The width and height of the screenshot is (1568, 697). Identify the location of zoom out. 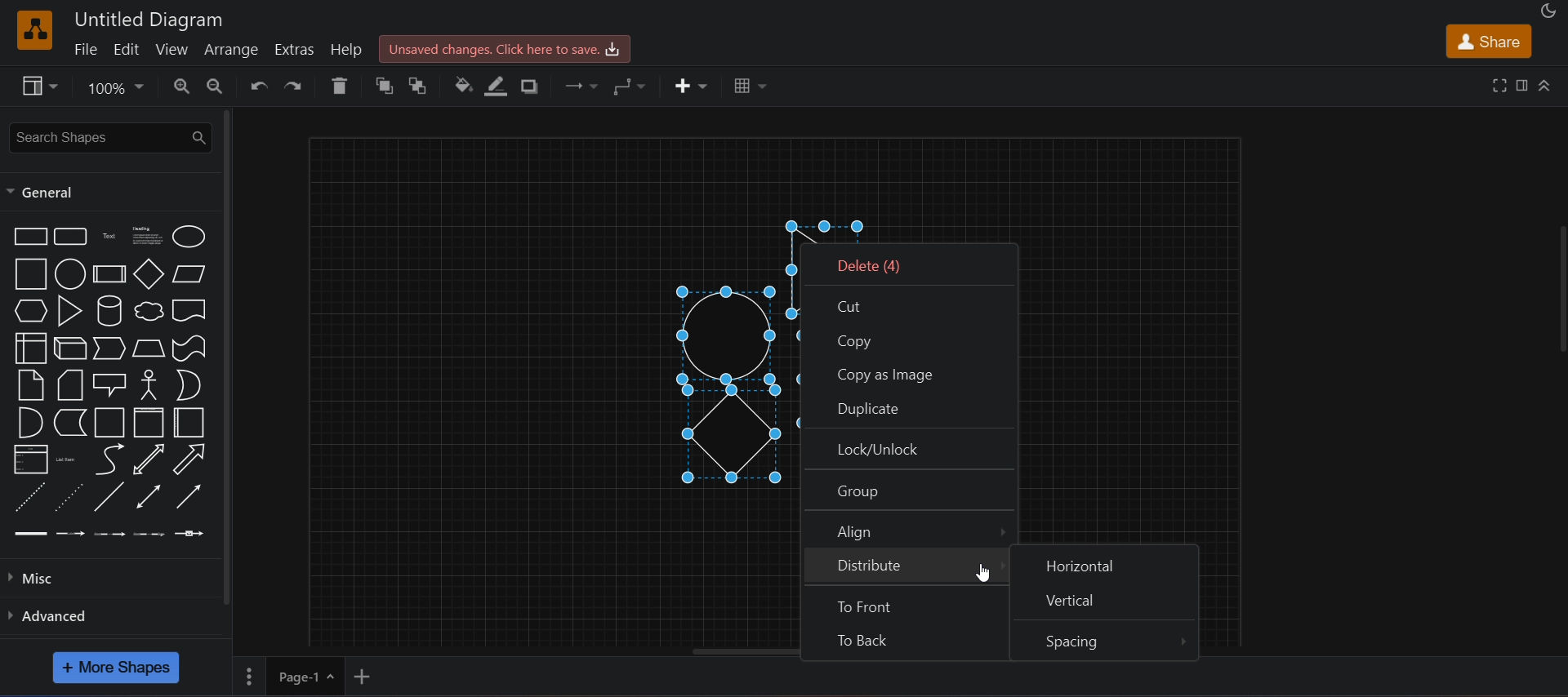
(217, 86).